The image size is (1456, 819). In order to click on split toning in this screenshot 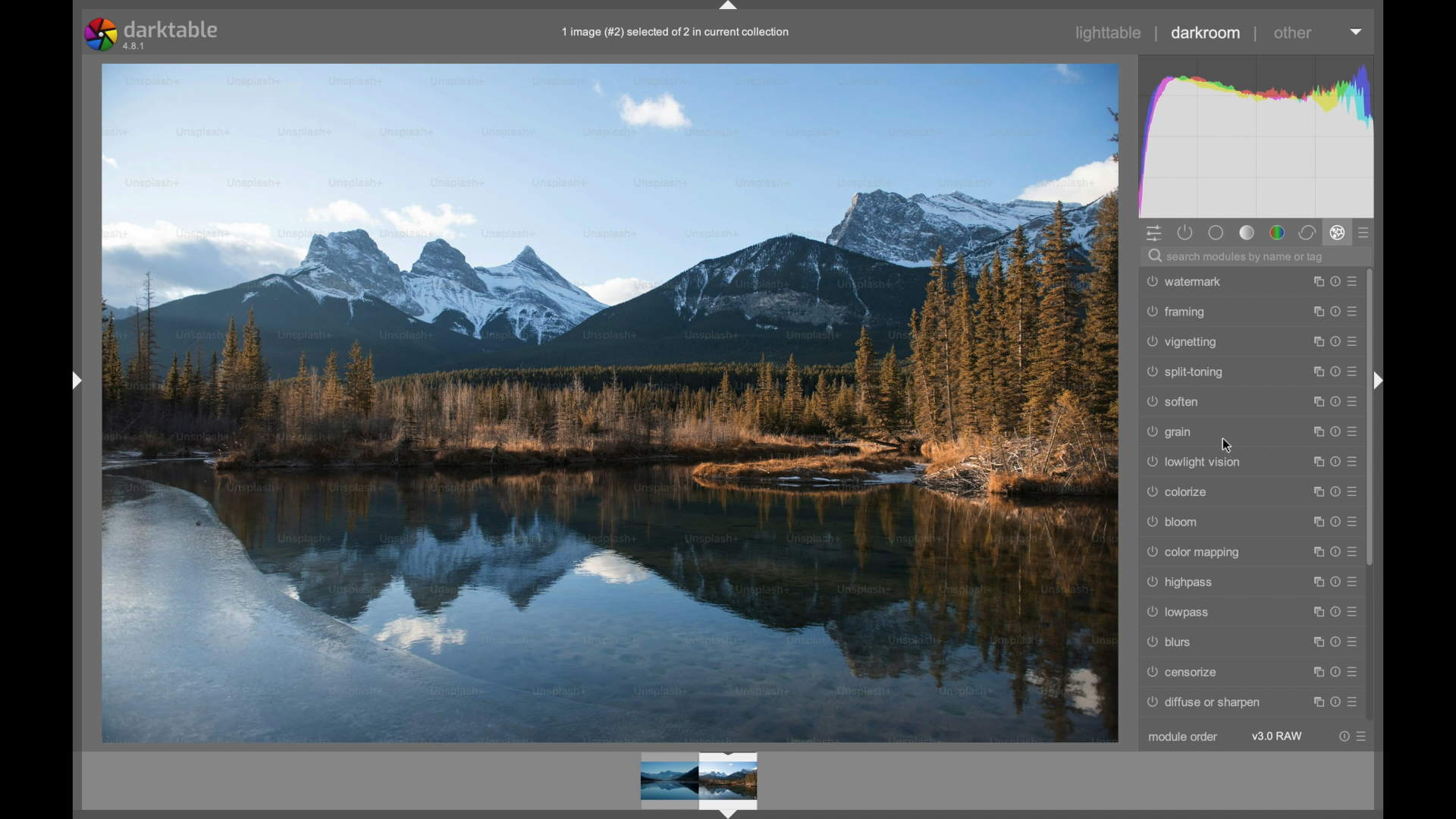, I will do `click(1186, 371)`.